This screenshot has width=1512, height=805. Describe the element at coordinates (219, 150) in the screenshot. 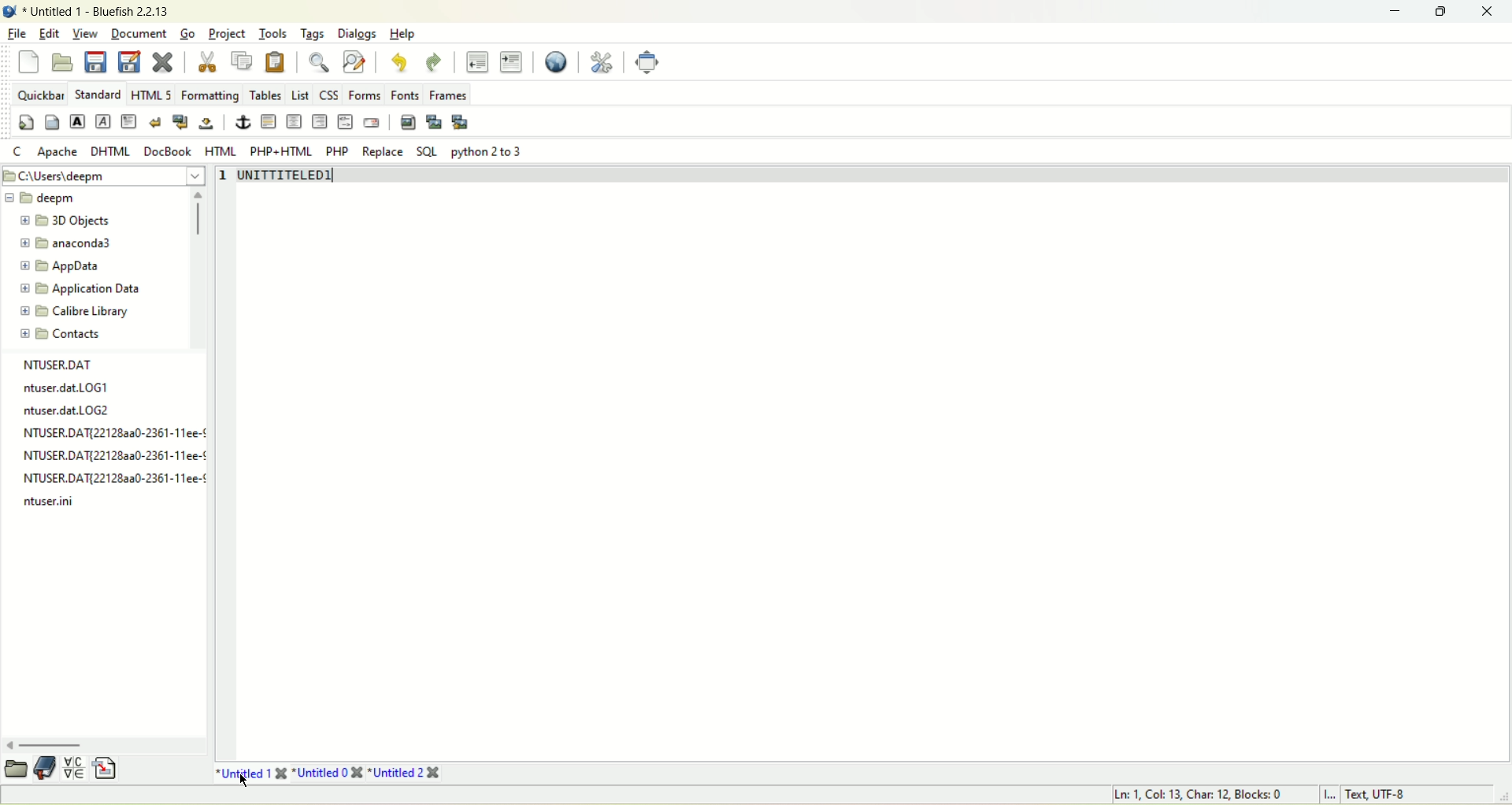

I see `HTML` at that location.